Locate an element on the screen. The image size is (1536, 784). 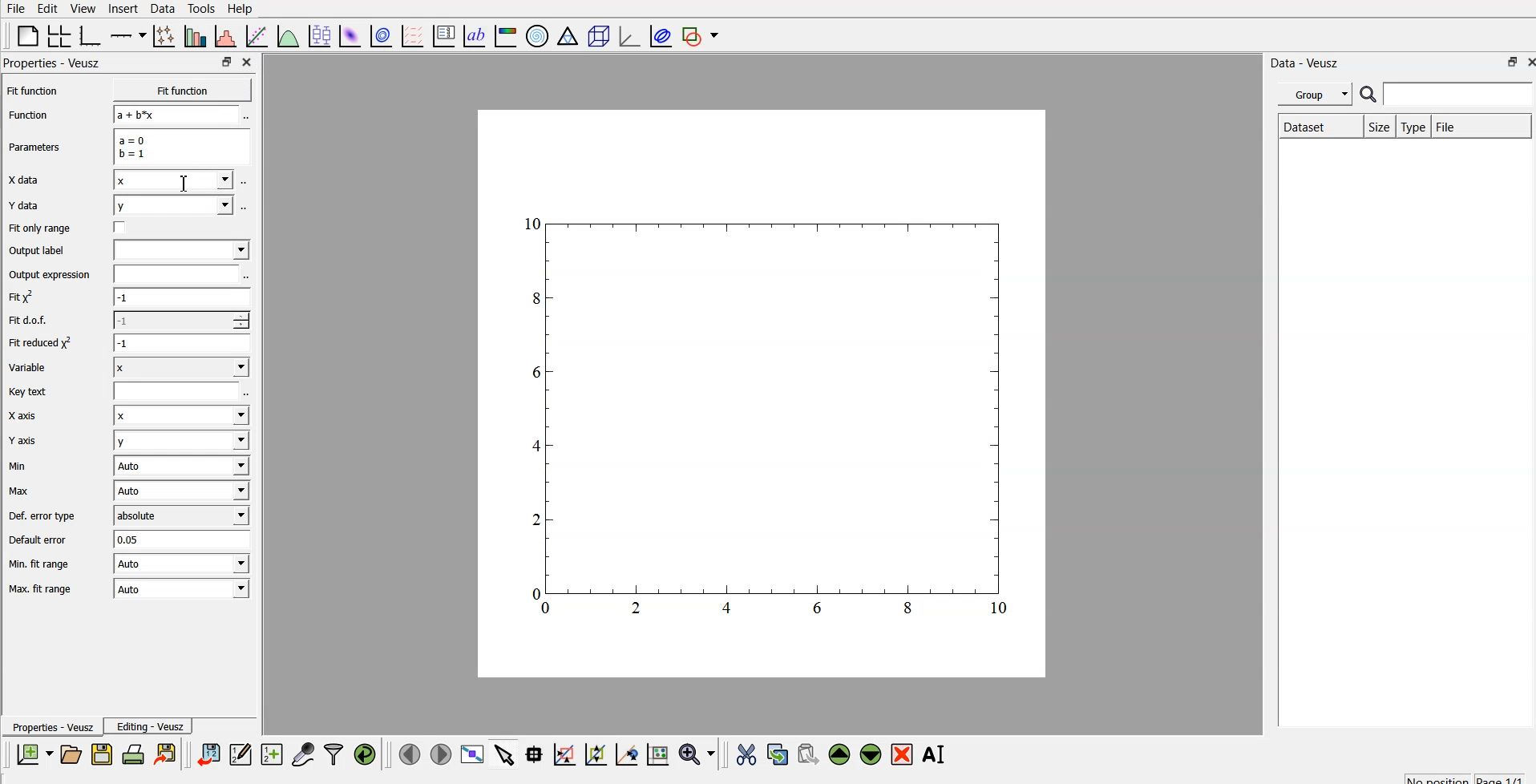
insert is located at coordinates (121, 8).